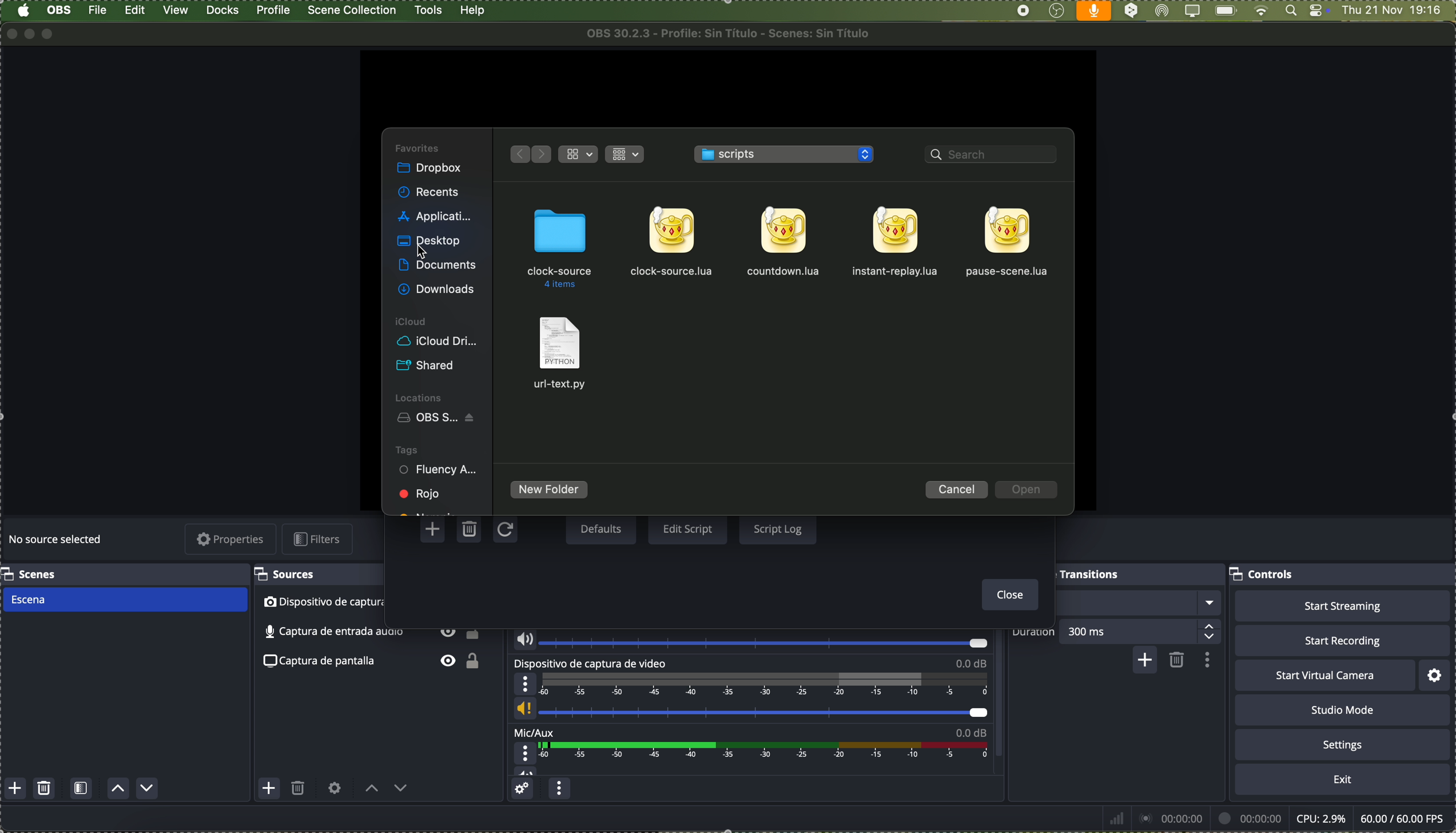 The image size is (1456, 833). Describe the element at coordinates (1225, 11) in the screenshot. I see `battery` at that location.